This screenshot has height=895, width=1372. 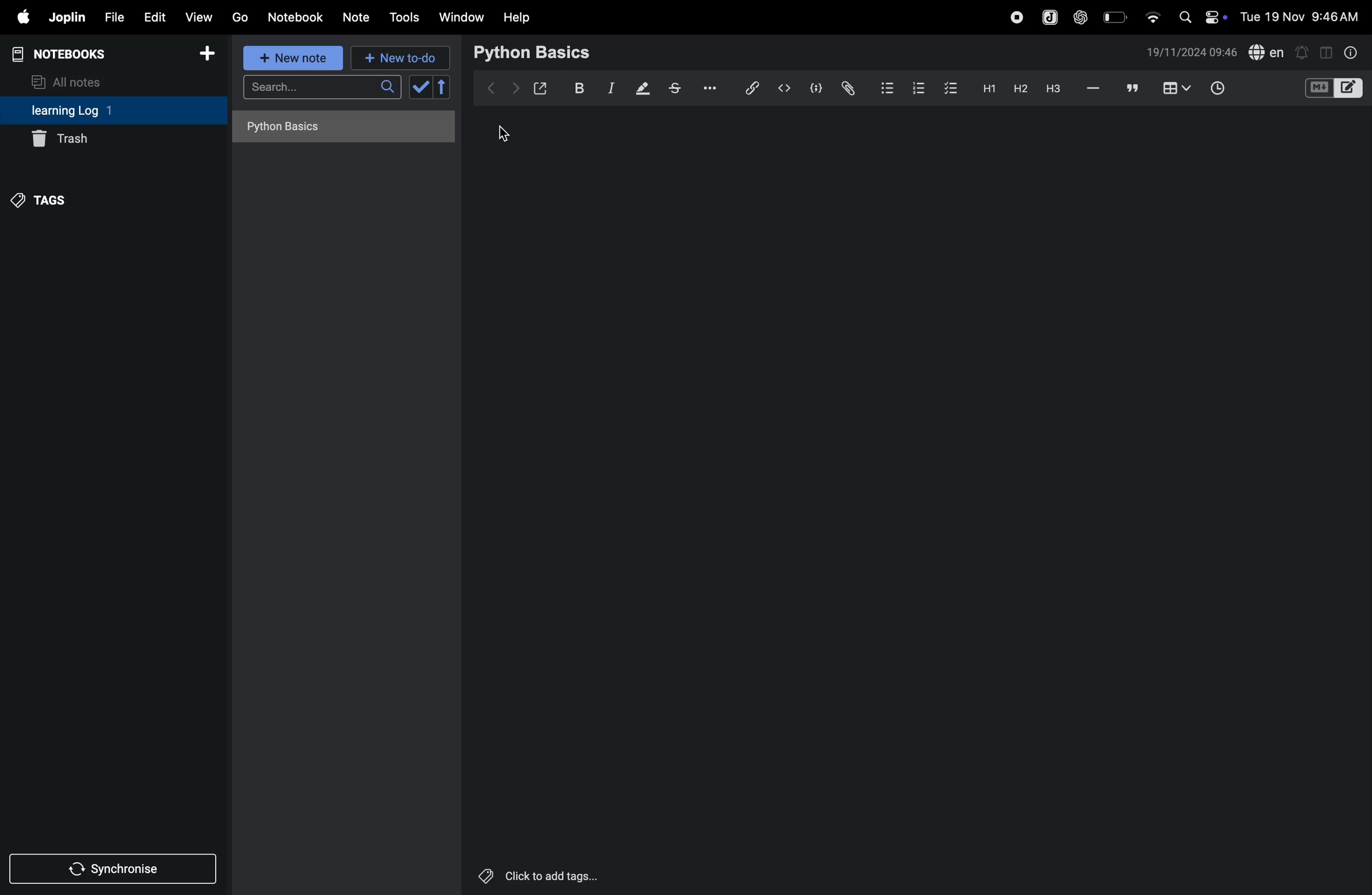 I want to click on code block, so click(x=1333, y=89).